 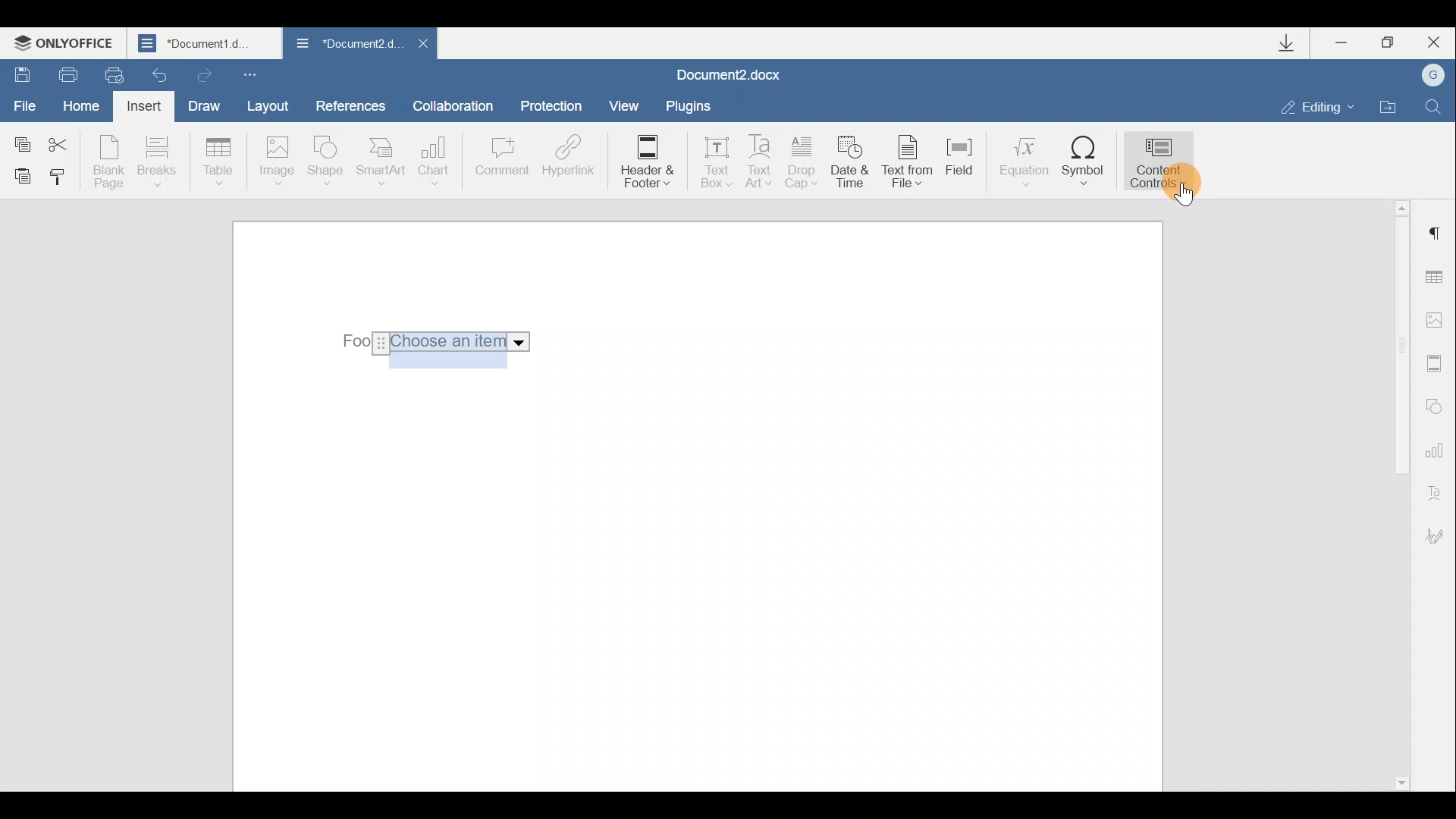 What do you see at coordinates (912, 163) in the screenshot?
I see `Text from file` at bounding box center [912, 163].